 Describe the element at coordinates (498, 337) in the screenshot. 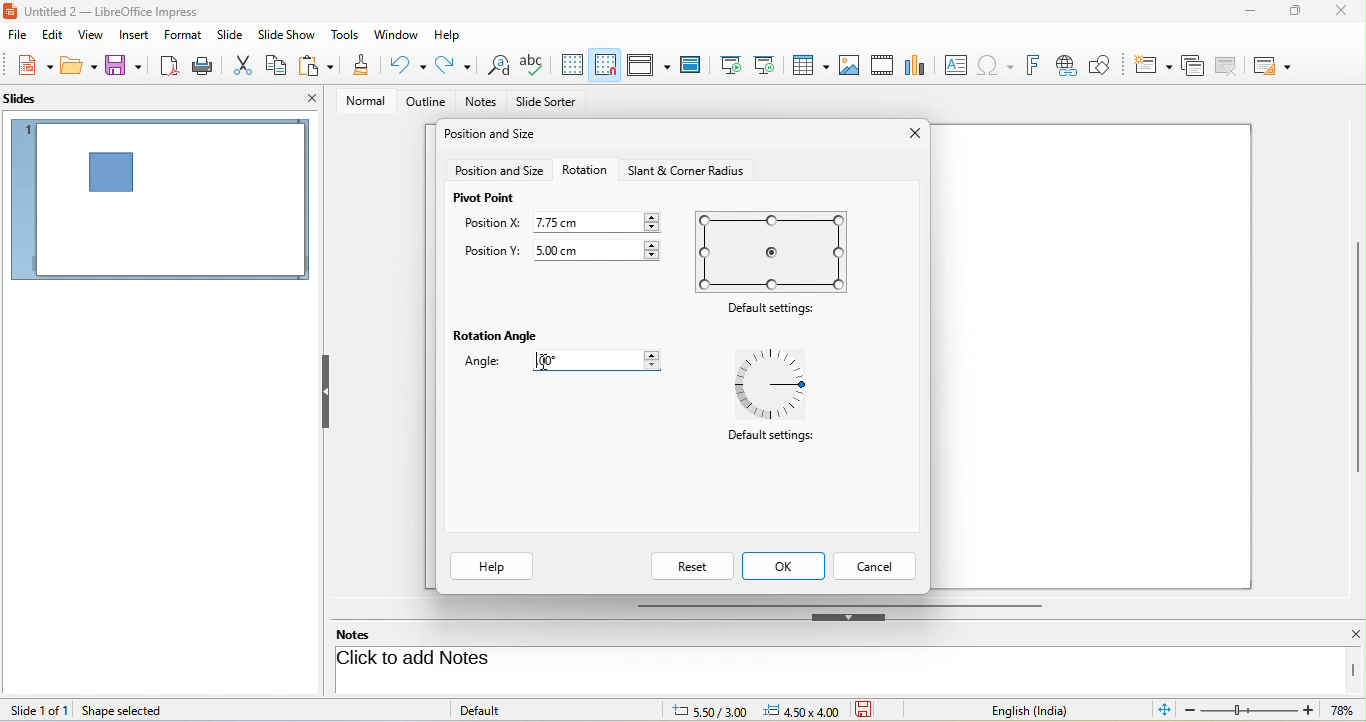

I see `rotation angle` at that location.